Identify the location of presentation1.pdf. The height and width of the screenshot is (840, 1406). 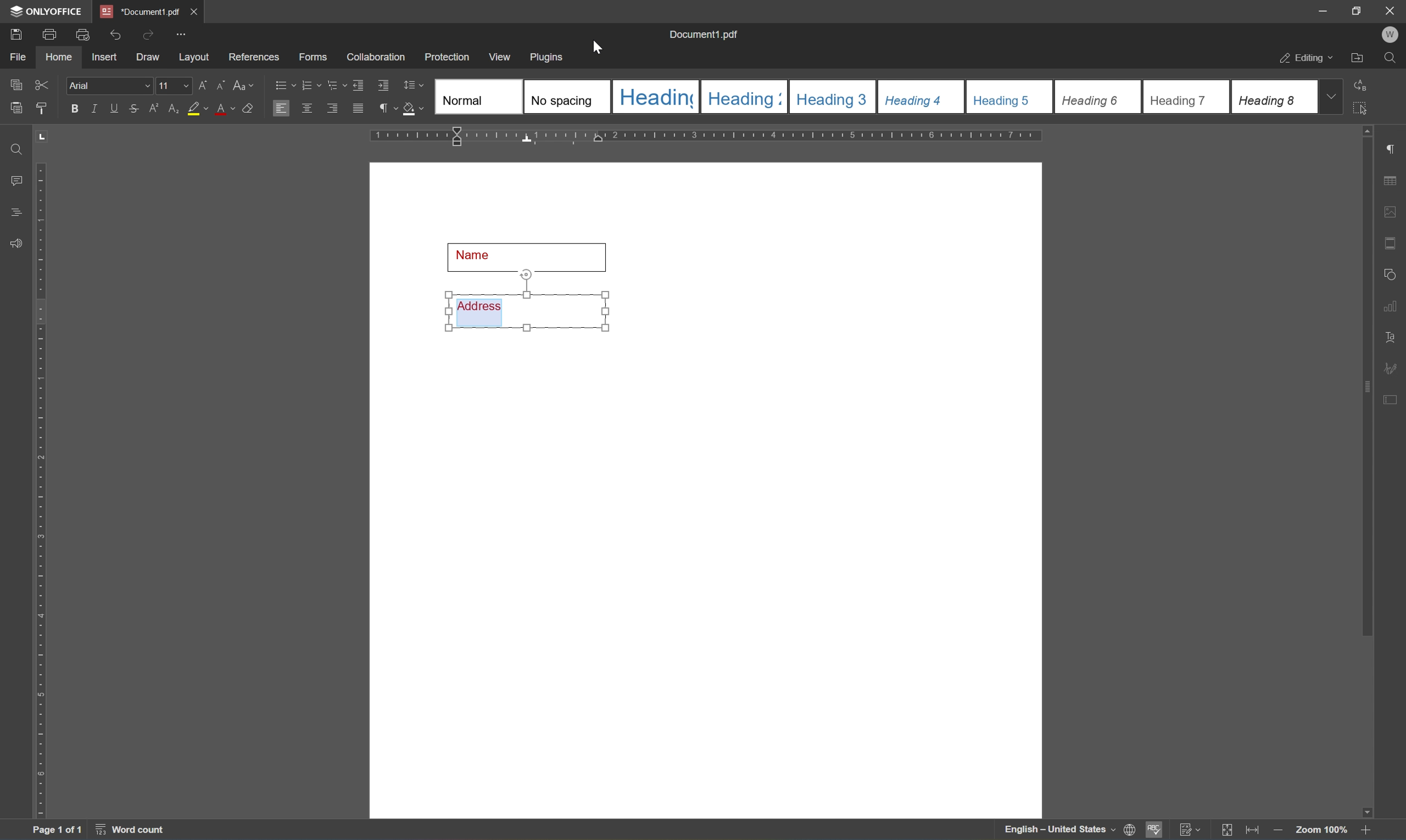
(139, 11).